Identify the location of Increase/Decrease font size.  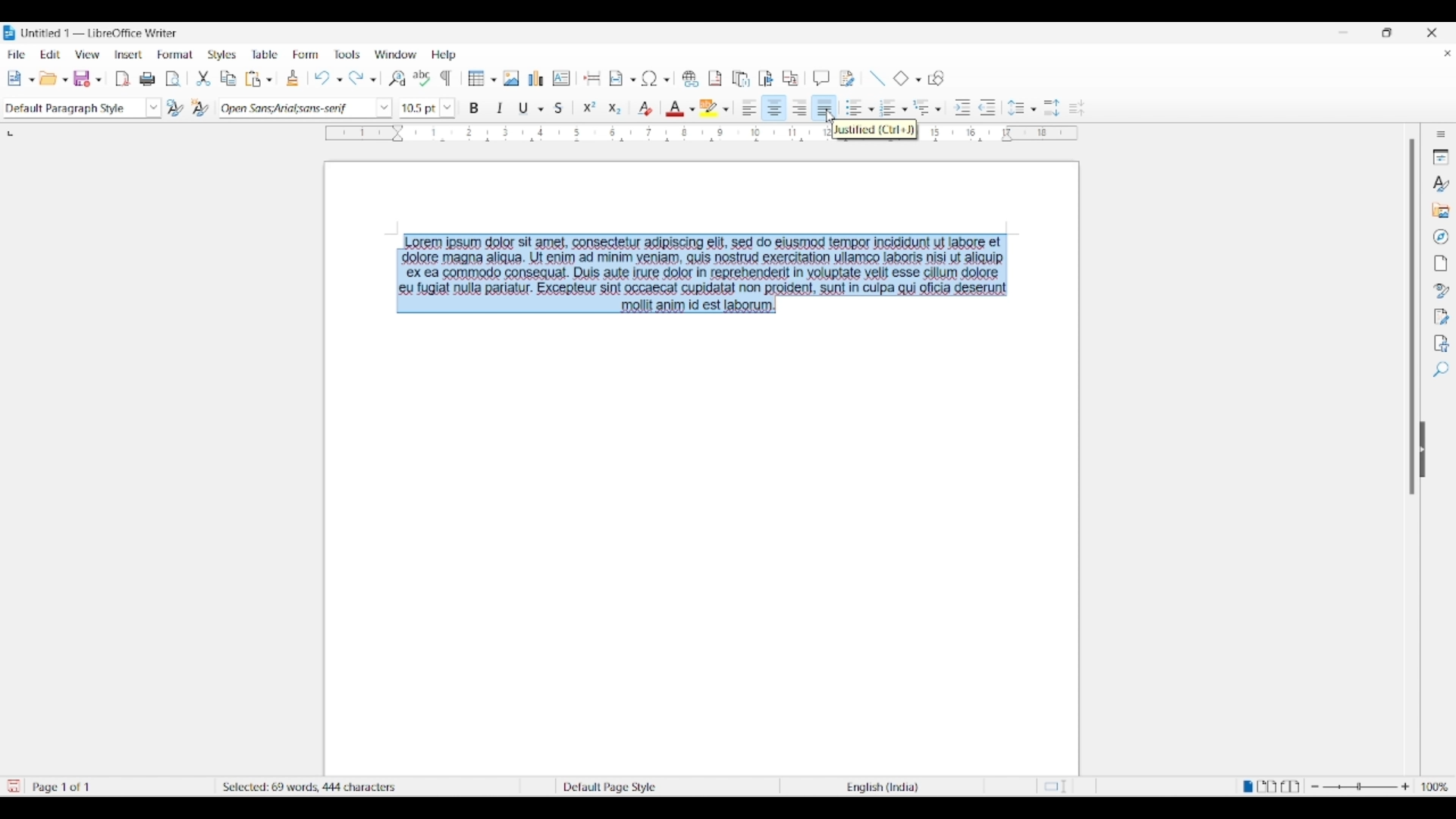
(447, 108).